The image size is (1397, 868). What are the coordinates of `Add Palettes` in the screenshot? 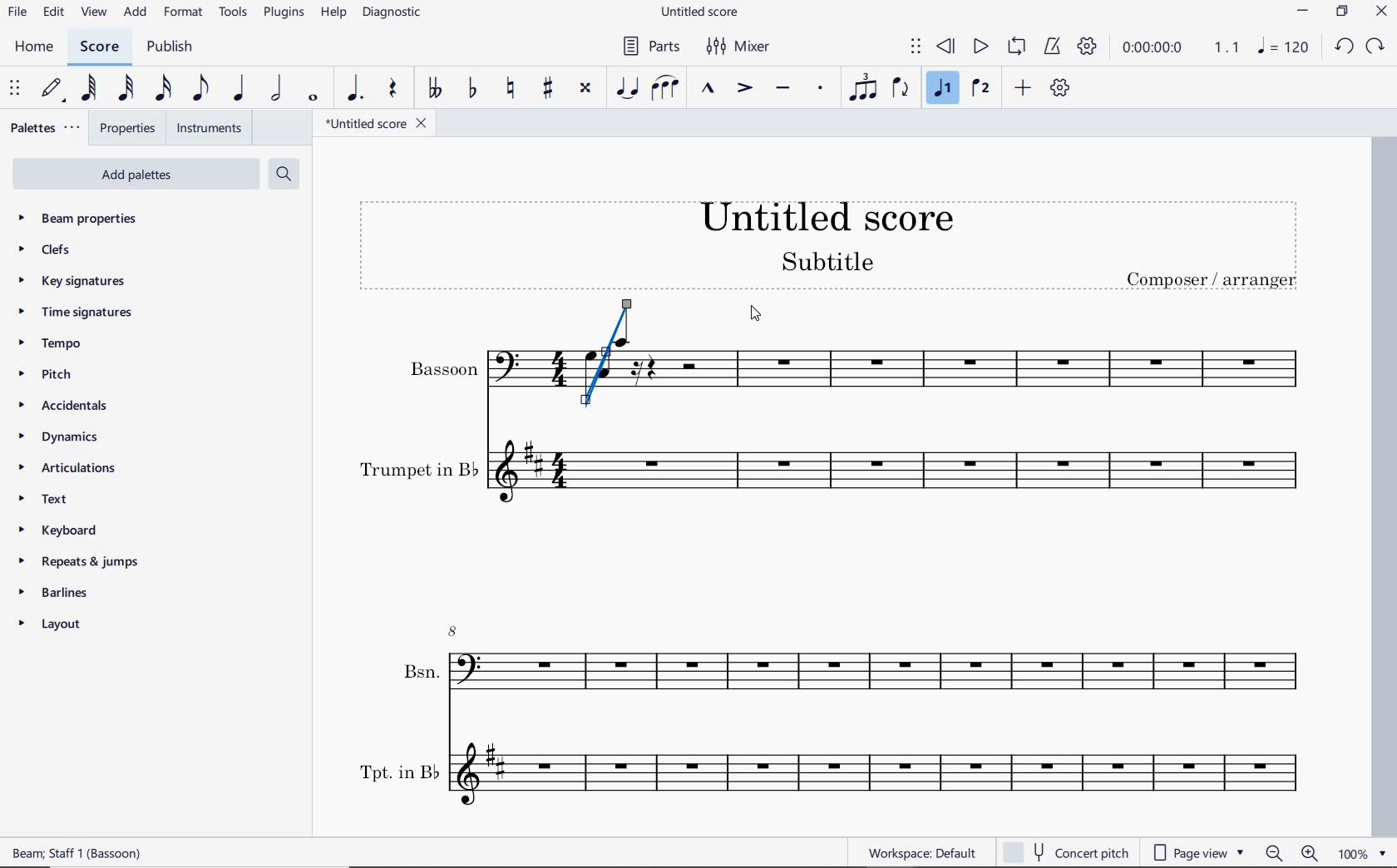 It's located at (136, 172).